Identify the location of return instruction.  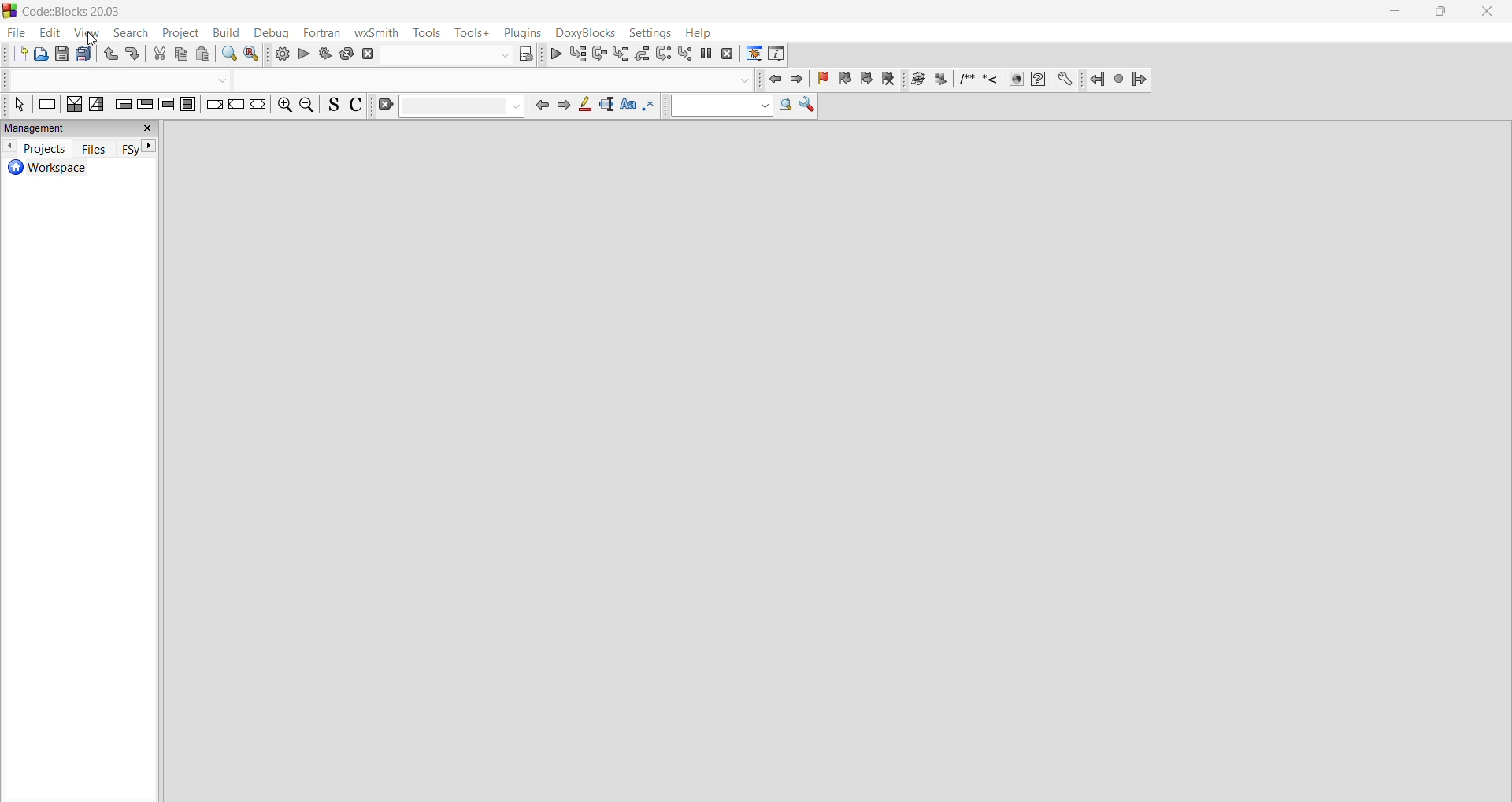
(260, 104).